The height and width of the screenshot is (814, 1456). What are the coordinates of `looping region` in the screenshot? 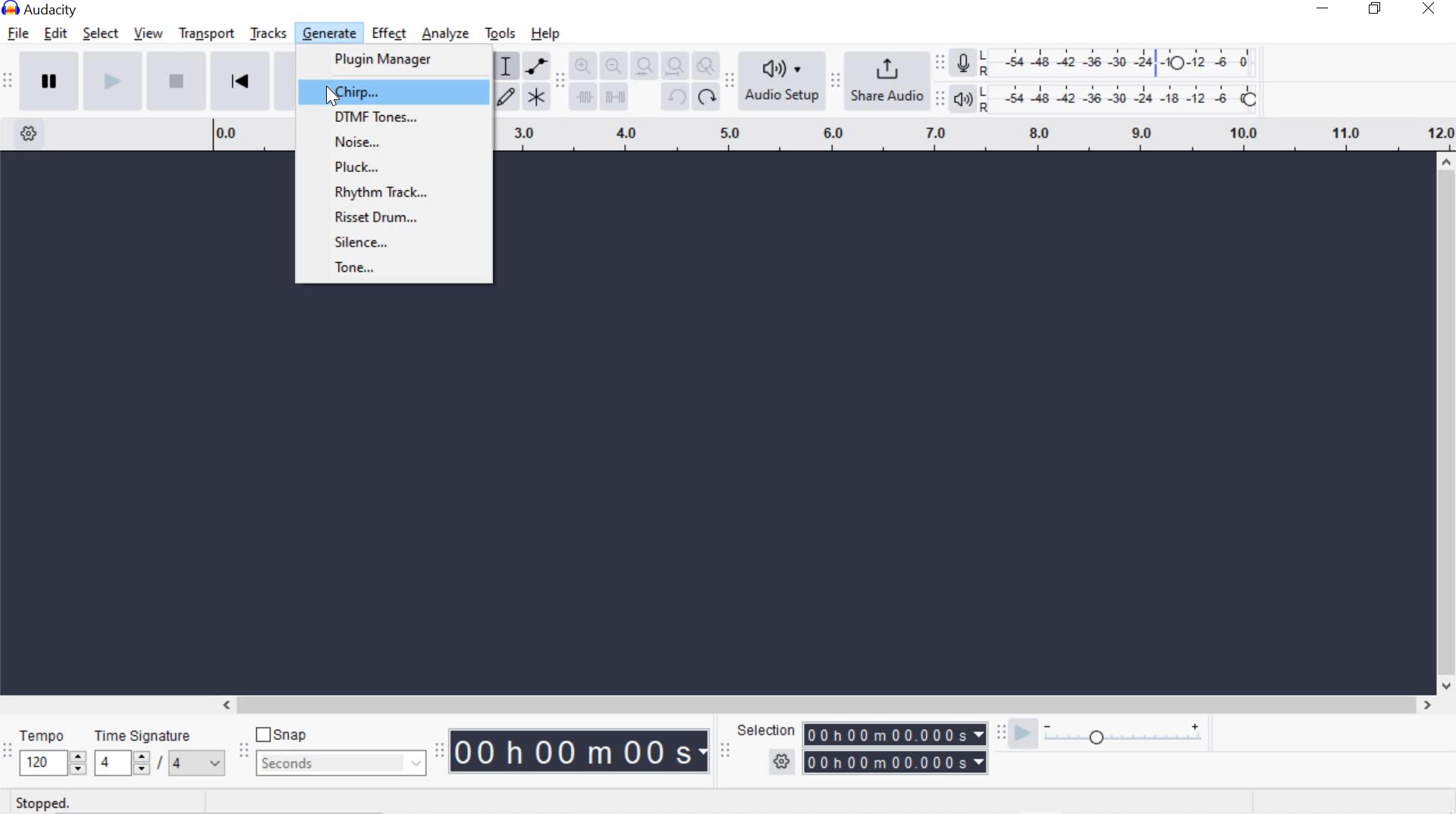 It's located at (975, 136).